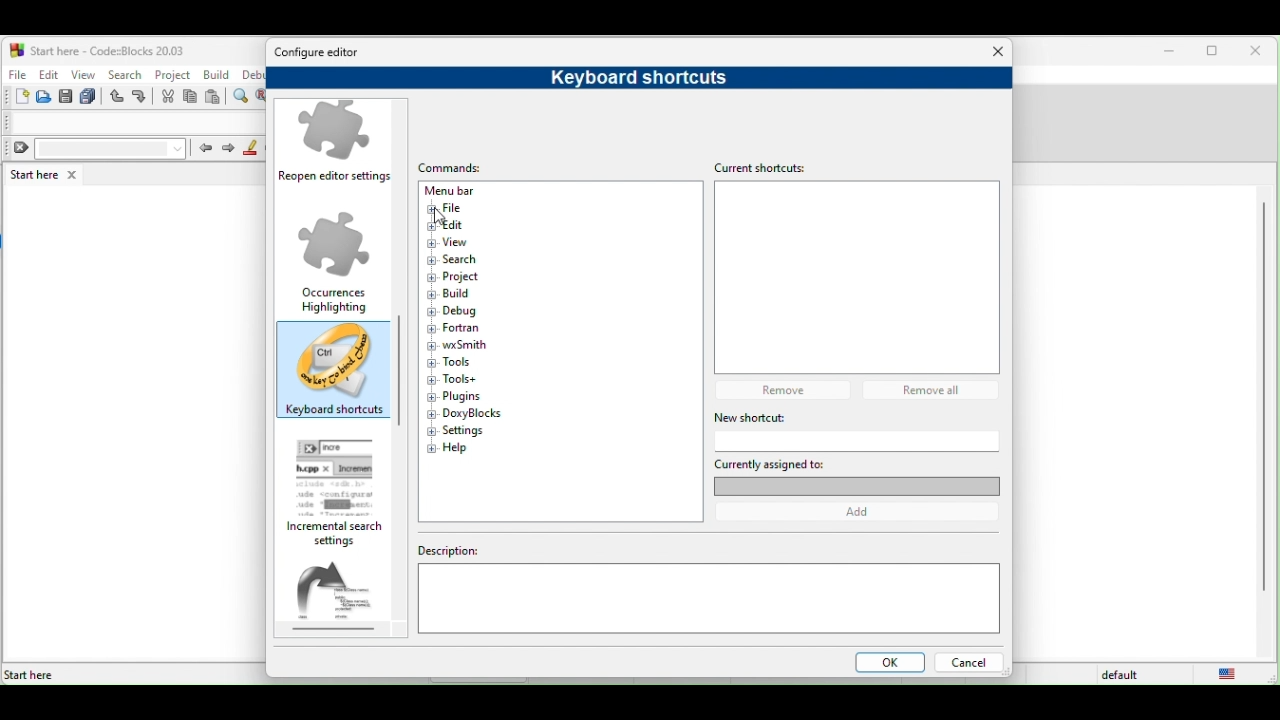  What do you see at coordinates (1262, 398) in the screenshot?
I see `vertical scroll bar` at bounding box center [1262, 398].